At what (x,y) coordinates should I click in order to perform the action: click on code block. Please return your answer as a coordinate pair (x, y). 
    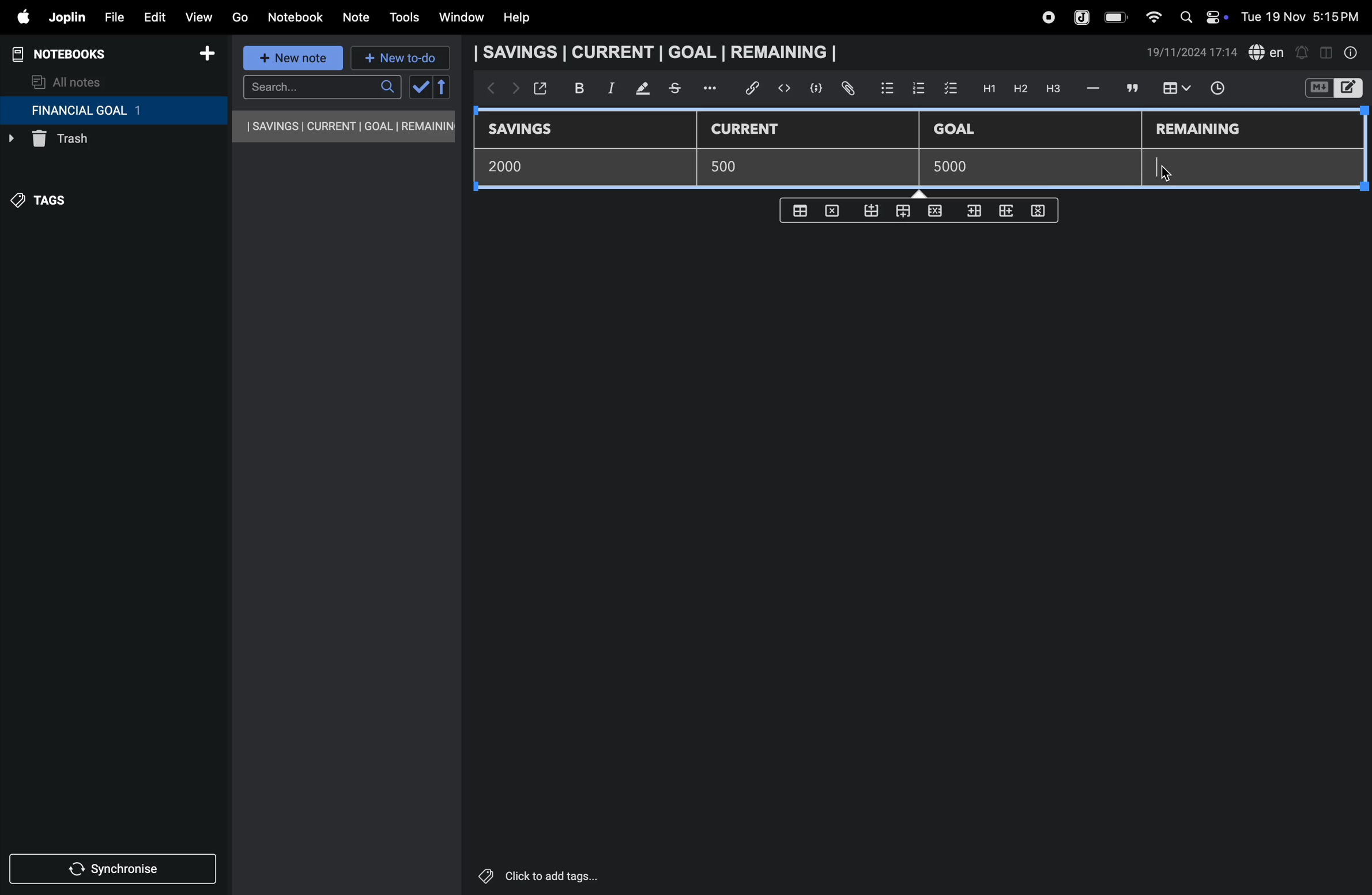
    Looking at the image, I should click on (812, 88).